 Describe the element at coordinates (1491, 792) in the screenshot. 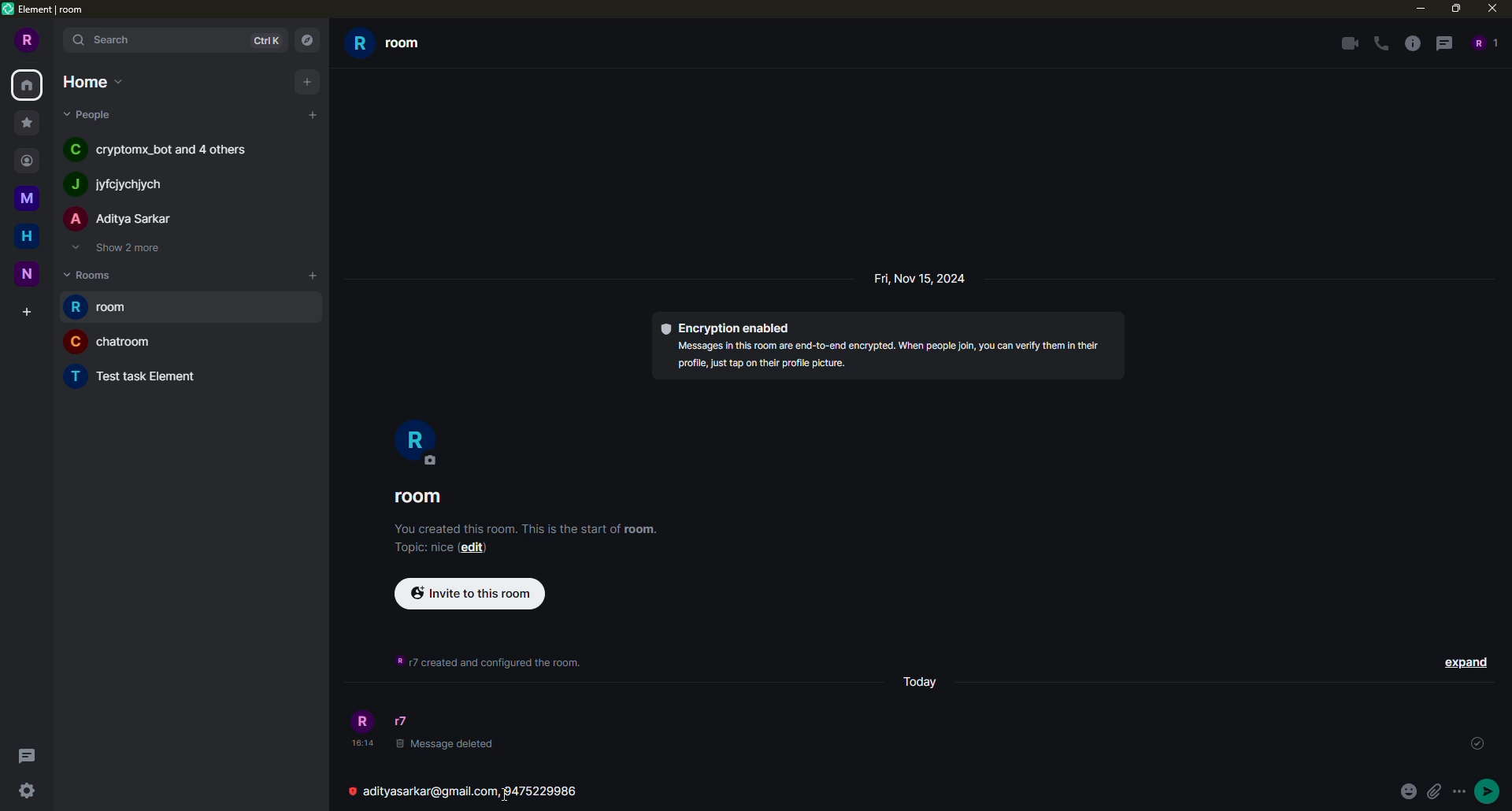

I see `send` at that location.